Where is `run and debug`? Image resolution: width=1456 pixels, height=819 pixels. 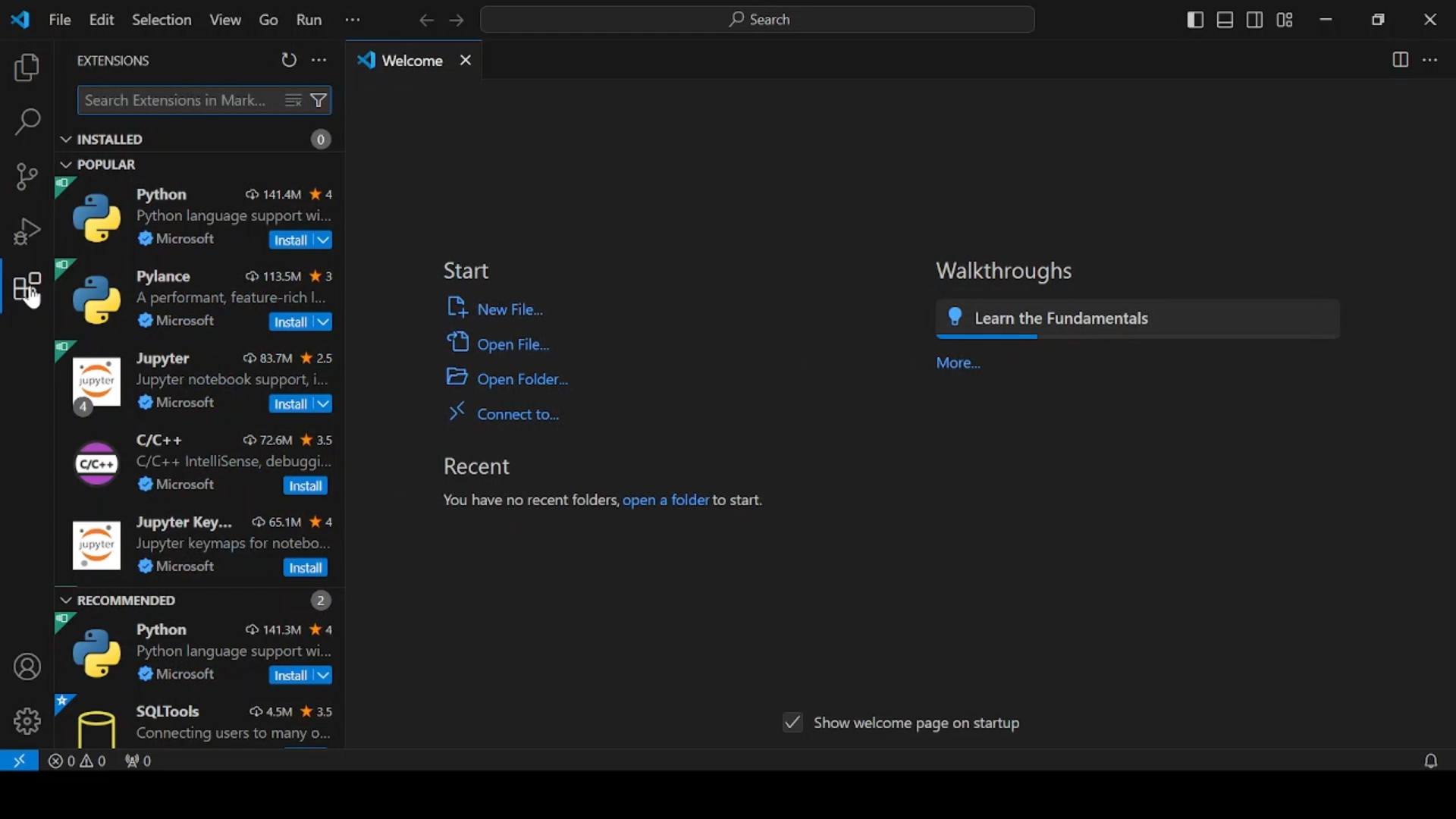
run and debug is located at coordinates (25, 232).